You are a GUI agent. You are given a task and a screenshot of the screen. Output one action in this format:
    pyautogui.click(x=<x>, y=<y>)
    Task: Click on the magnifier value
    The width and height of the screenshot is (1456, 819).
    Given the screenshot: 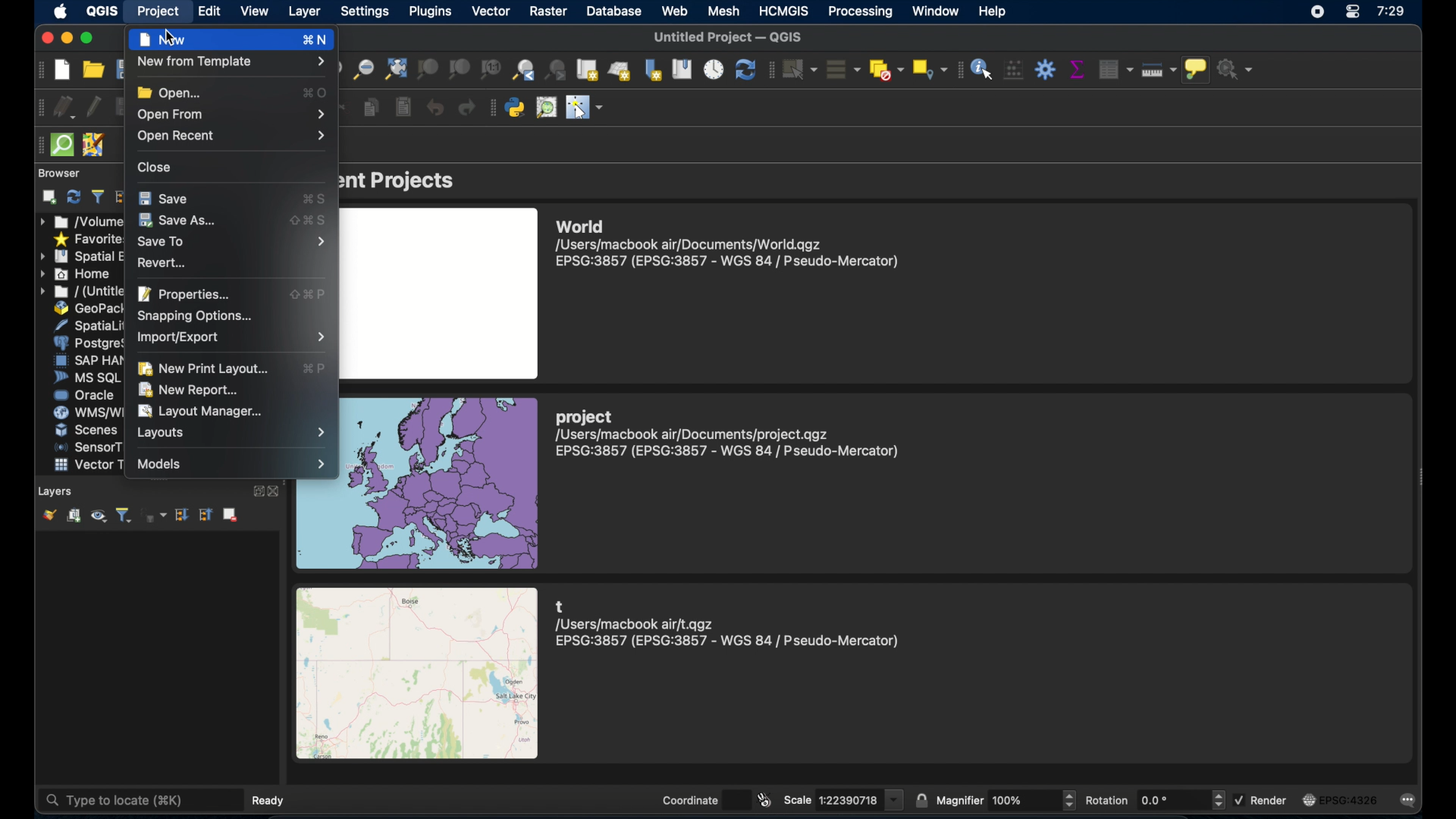 What is the action you would take?
    pyautogui.click(x=1025, y=800)
    